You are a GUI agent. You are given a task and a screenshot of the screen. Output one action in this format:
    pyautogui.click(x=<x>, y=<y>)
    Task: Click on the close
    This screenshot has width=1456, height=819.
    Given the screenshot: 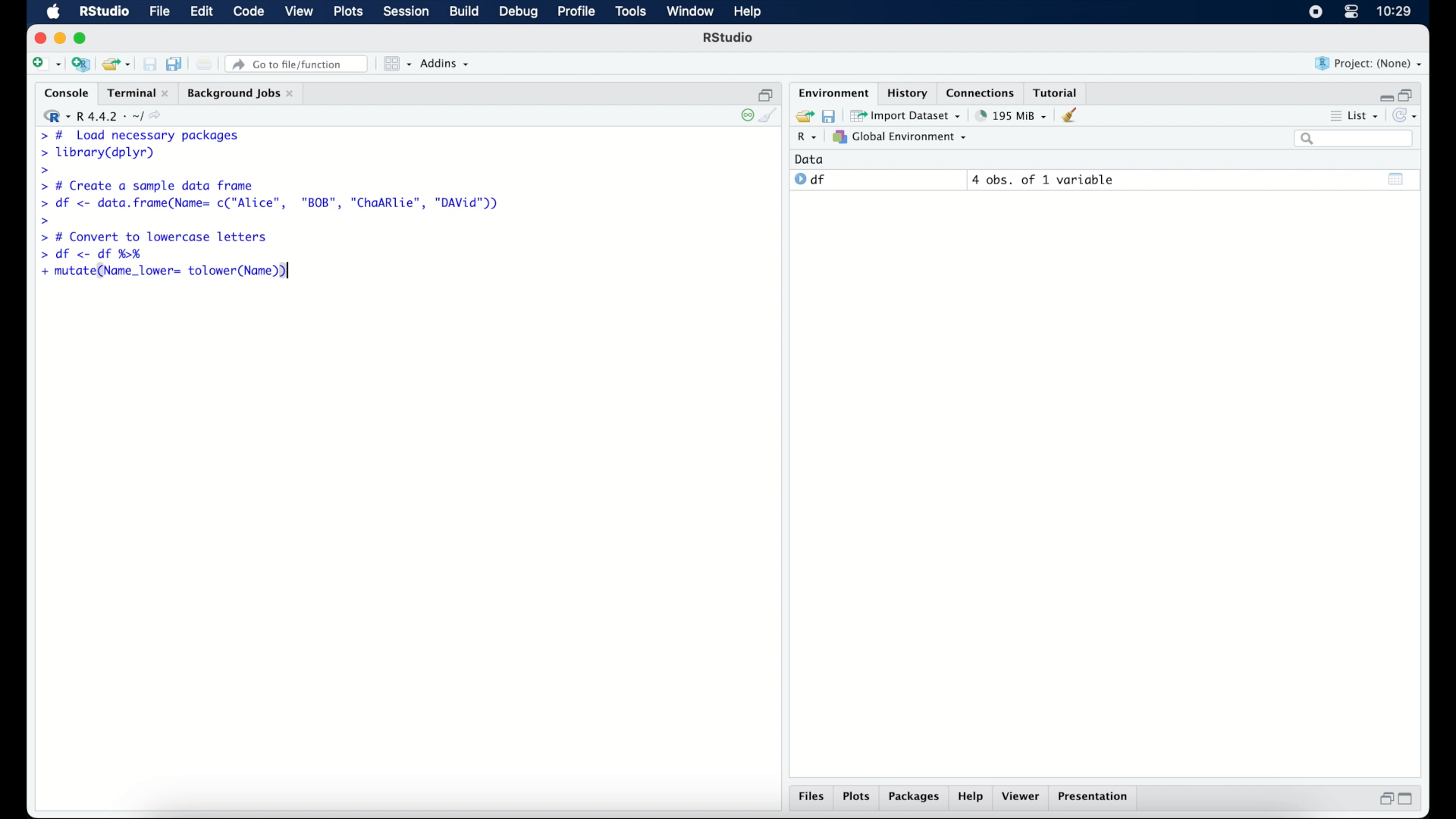 What is the action you would take?
    pyautogui.click(x=40, y=38)
    